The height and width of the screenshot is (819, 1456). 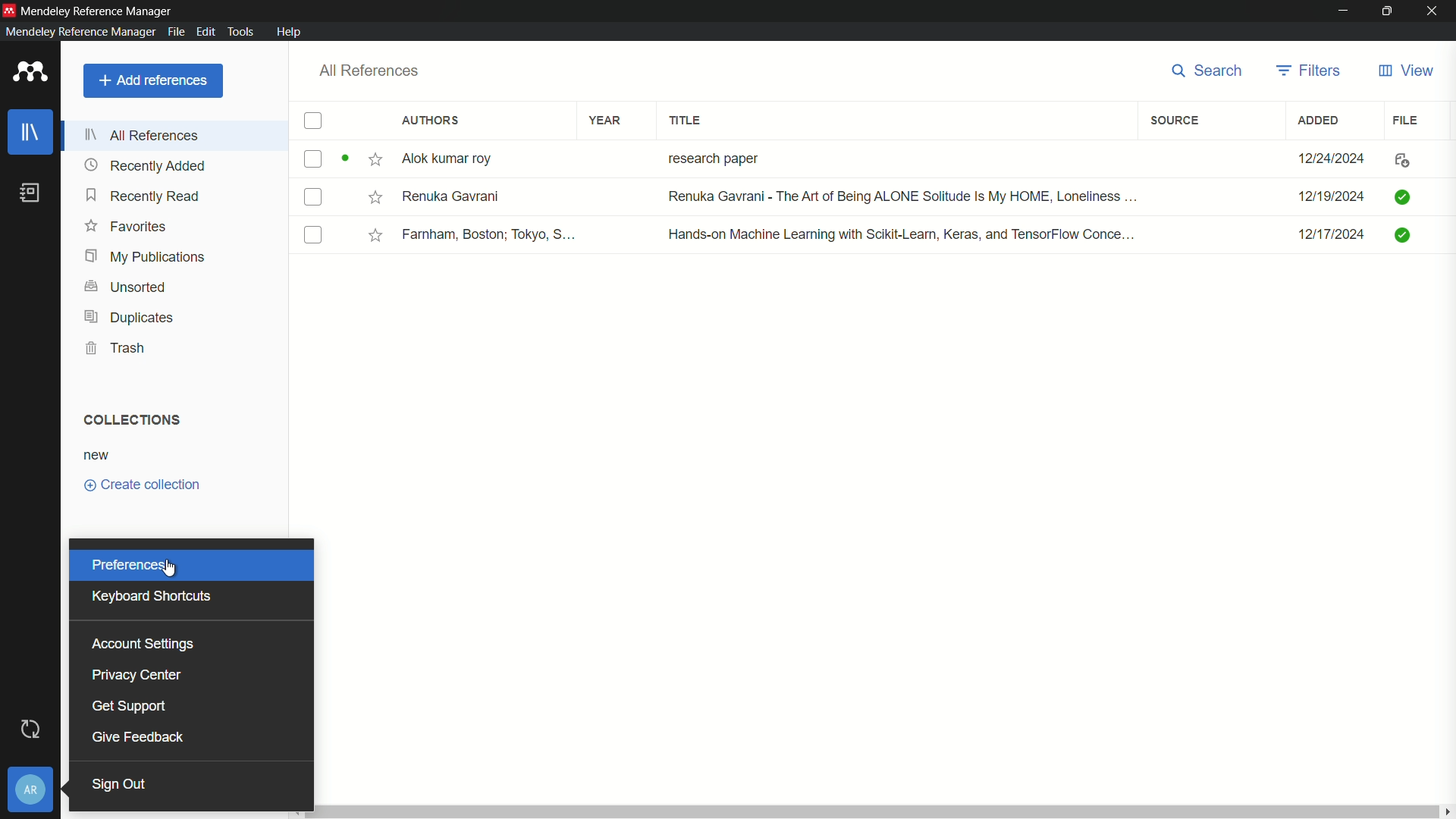 What do you see at coordinates (78, 31) in the screenshot?
I see `mendeley reference manager` at bounding box center [78, 31].